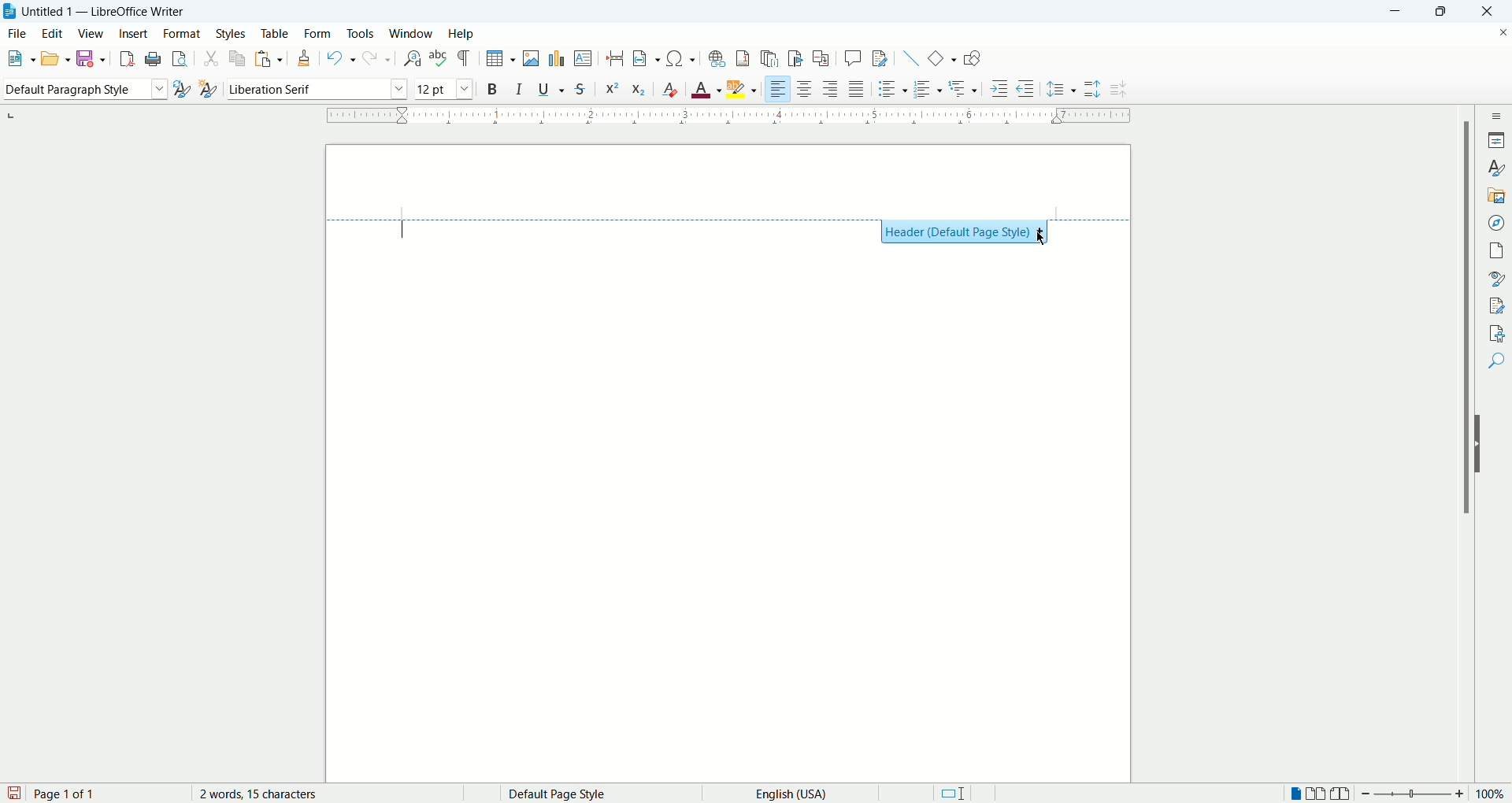  What do you see at coordinates (182, 89) in the screenshot?
I see `update style` at bounding box center [182, 89].